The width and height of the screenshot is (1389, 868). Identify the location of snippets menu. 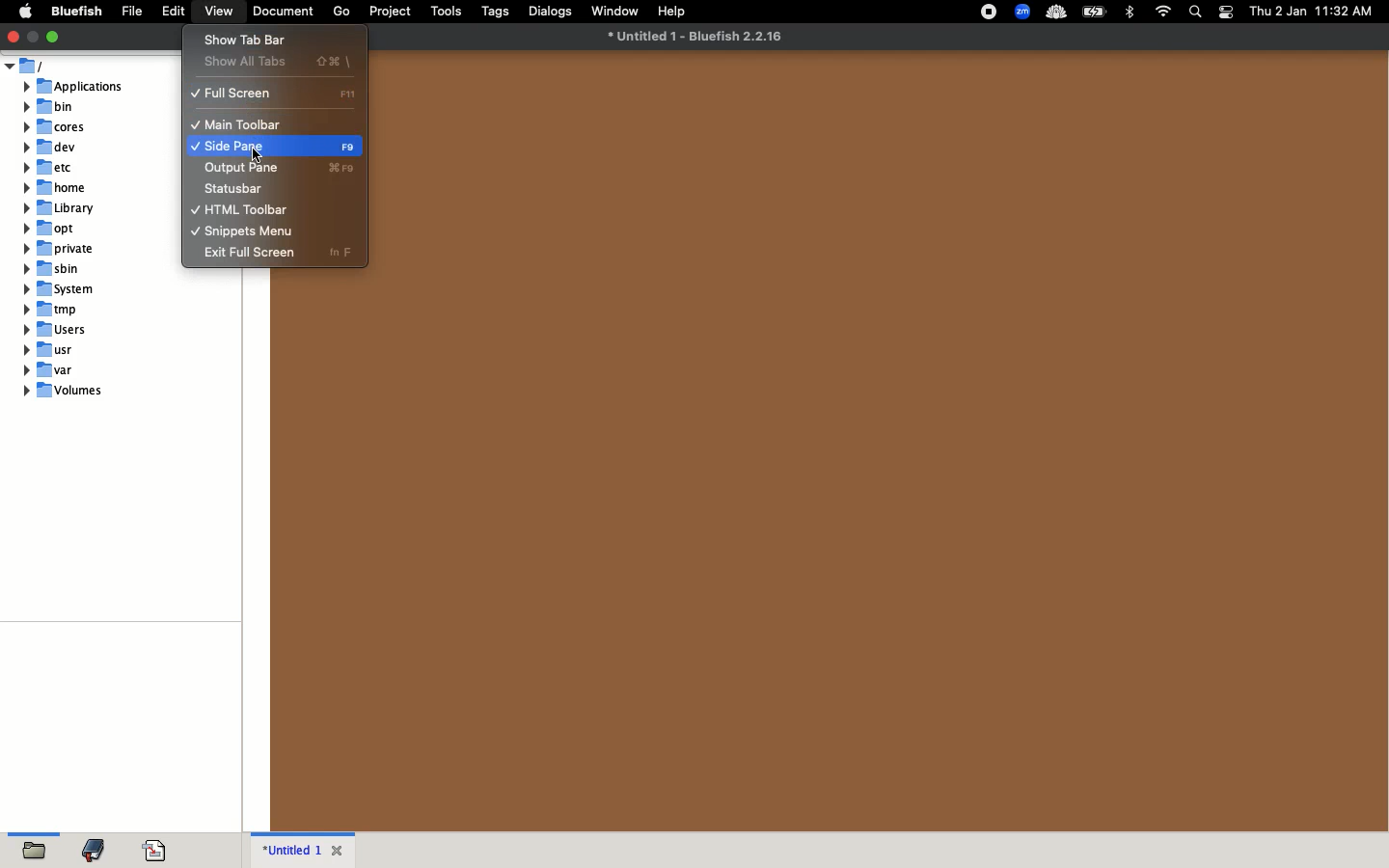
(244, 231).